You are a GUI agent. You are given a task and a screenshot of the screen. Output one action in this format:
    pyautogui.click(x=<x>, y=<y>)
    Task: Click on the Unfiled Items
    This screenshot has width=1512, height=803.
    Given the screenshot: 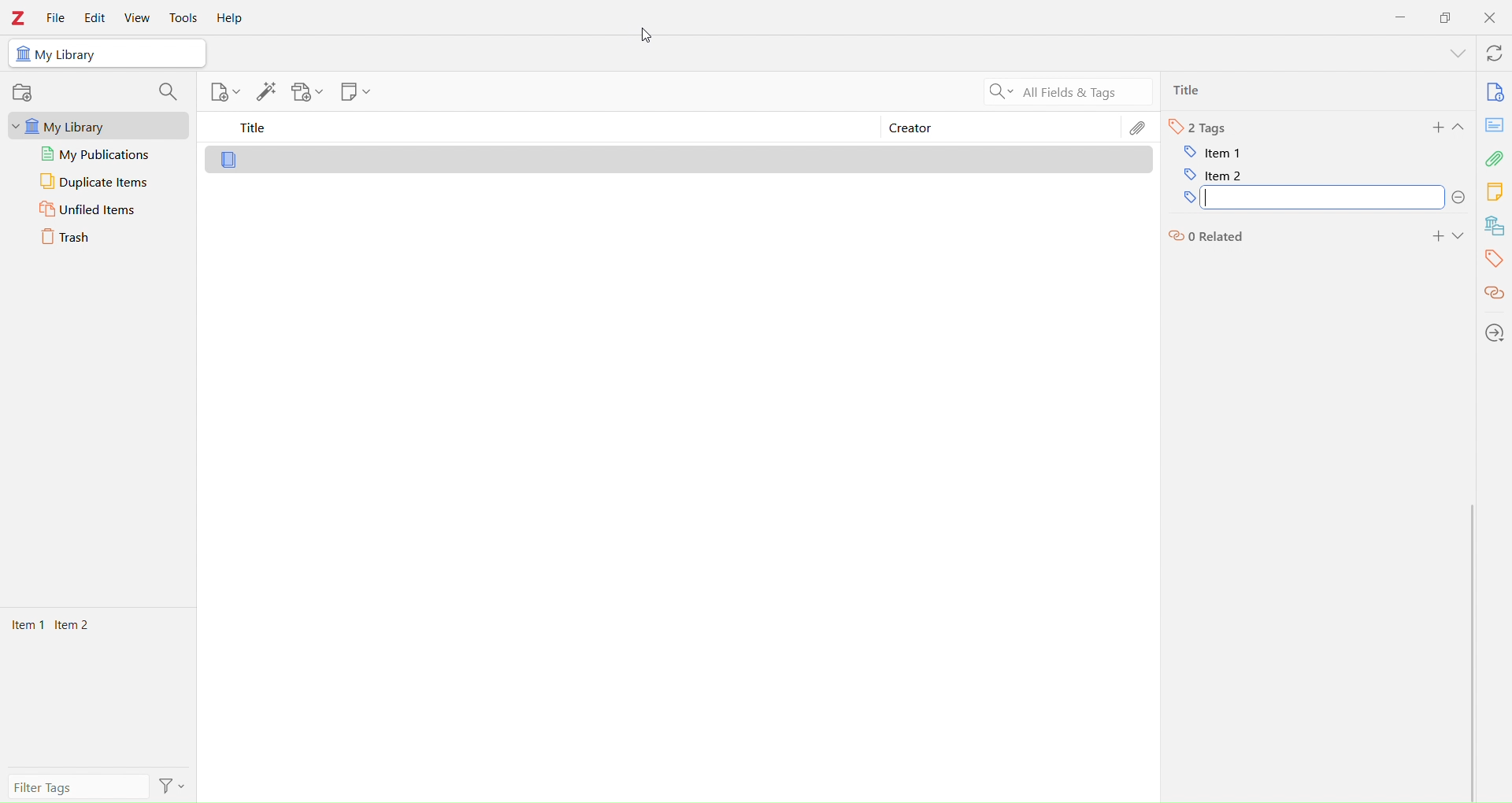 What is the action you would take?
    pyautogui.click(x=91, y=212)
    